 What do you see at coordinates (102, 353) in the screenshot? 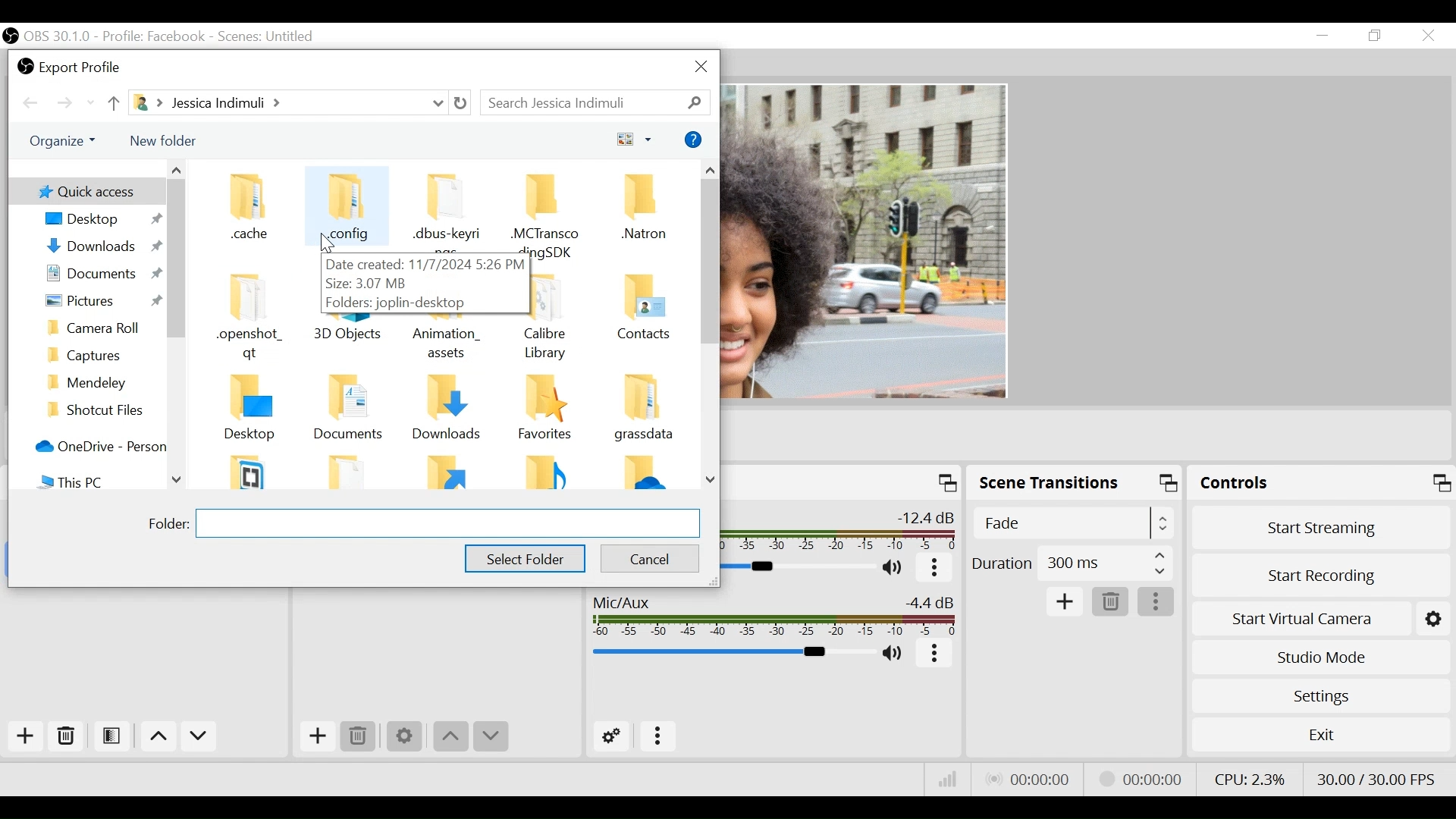
I see `Folder` at bounding box center [102, 353].